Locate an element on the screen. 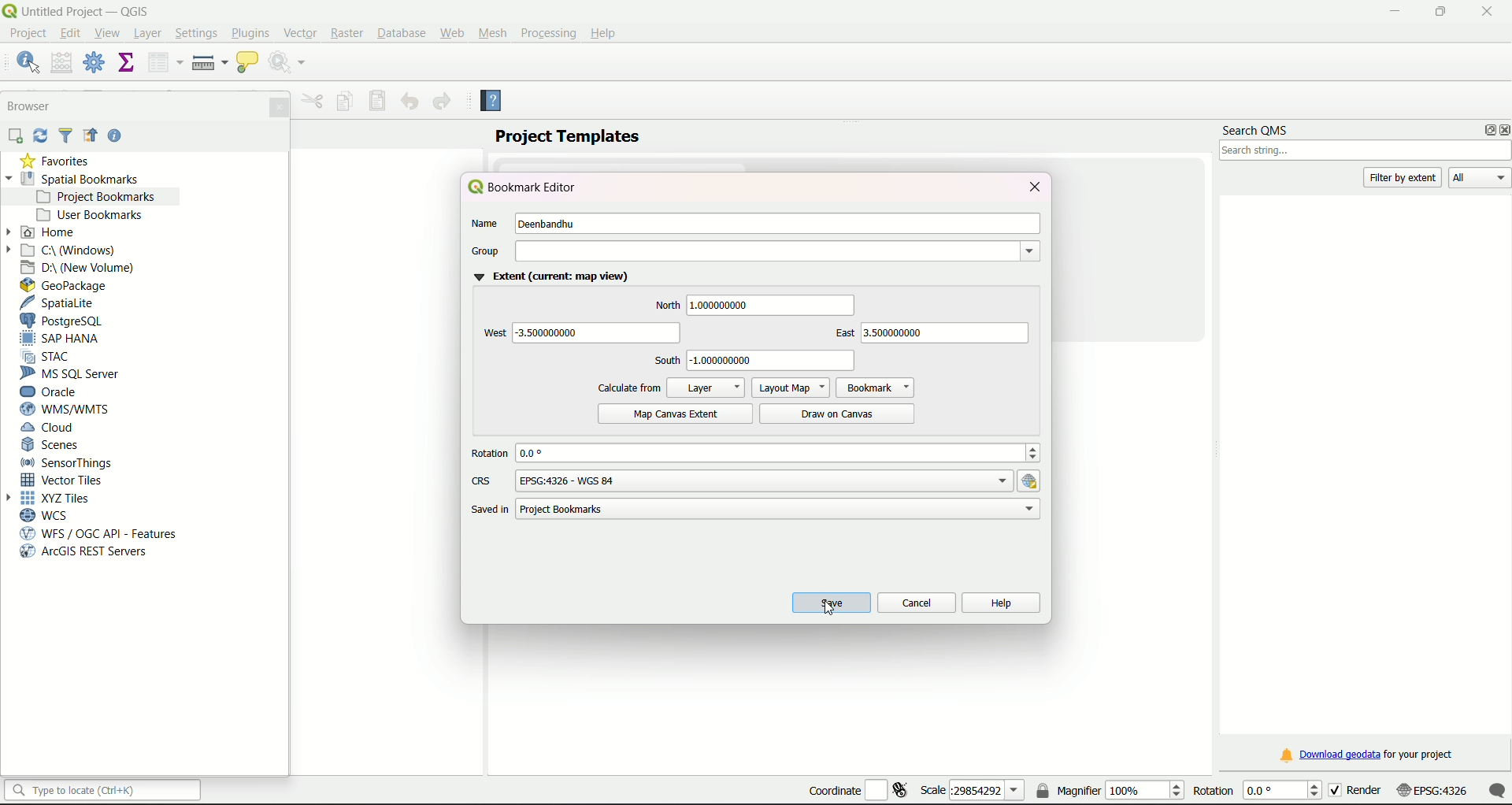  Help is located at coordinates (116, 137).